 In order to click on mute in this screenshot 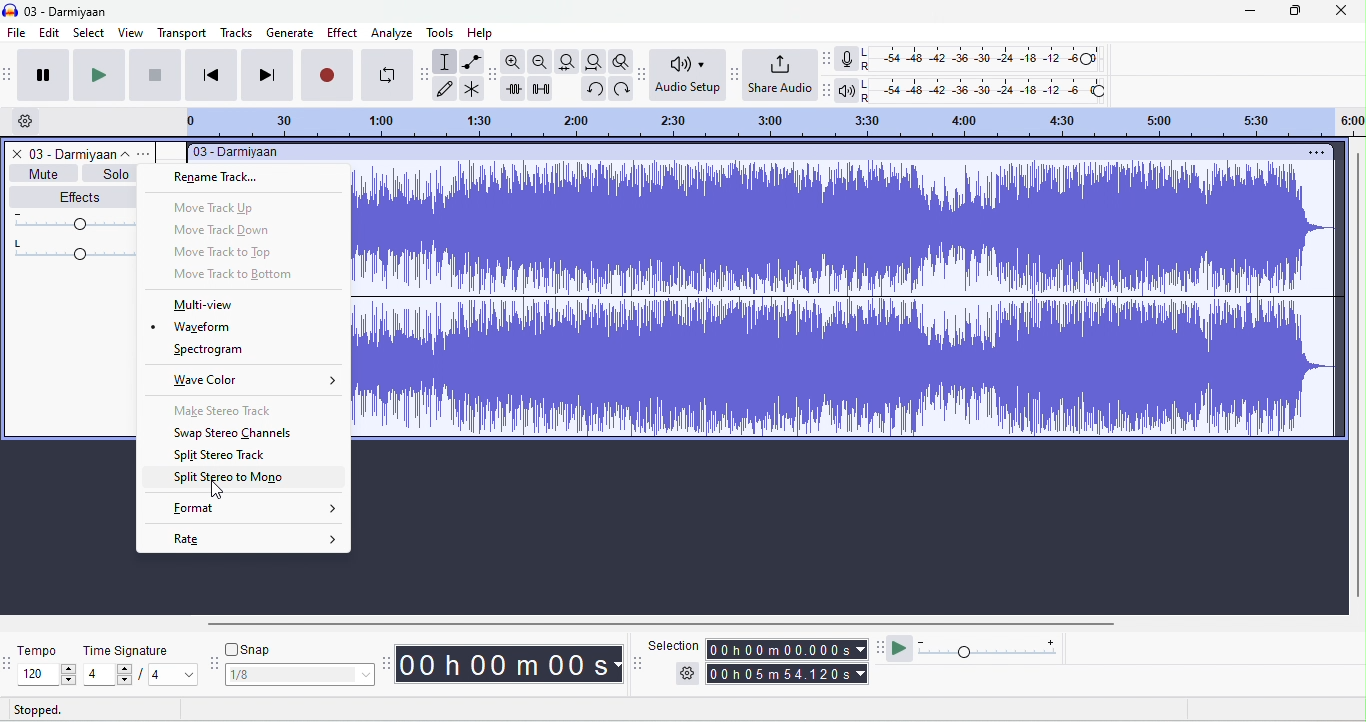, I will do `click(42, 173)`.